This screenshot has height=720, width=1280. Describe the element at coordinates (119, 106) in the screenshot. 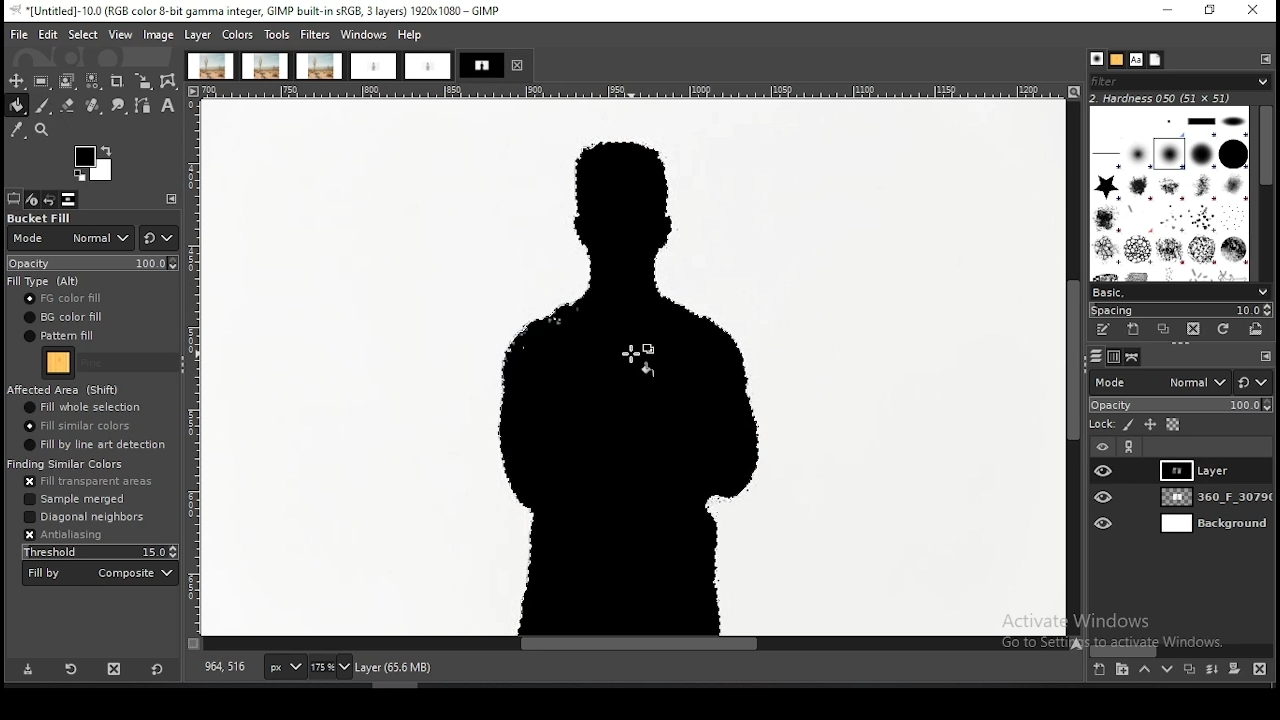

I see `smudge tool` at that location.